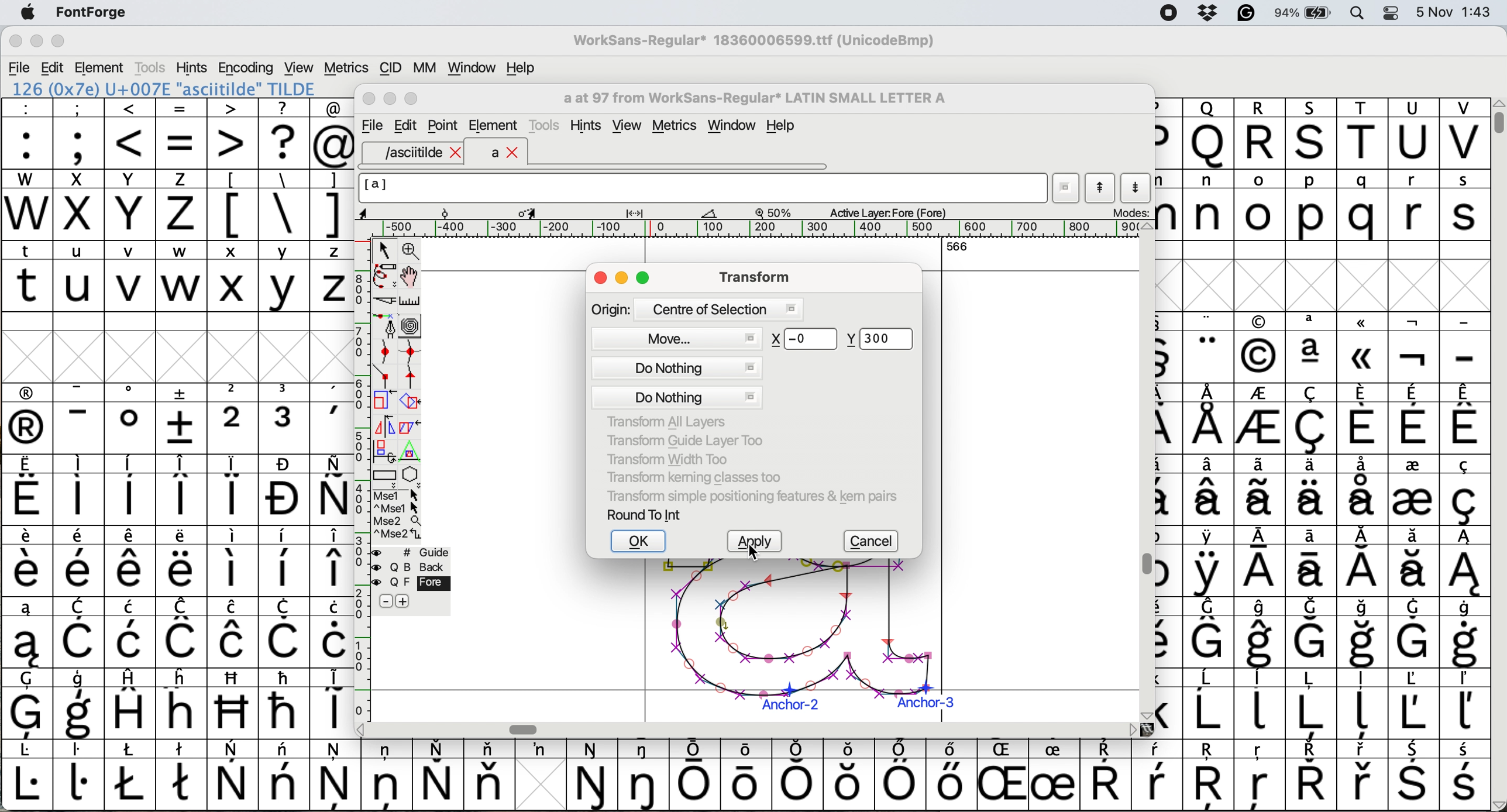  I want to click on symbol, so click(285, 632).